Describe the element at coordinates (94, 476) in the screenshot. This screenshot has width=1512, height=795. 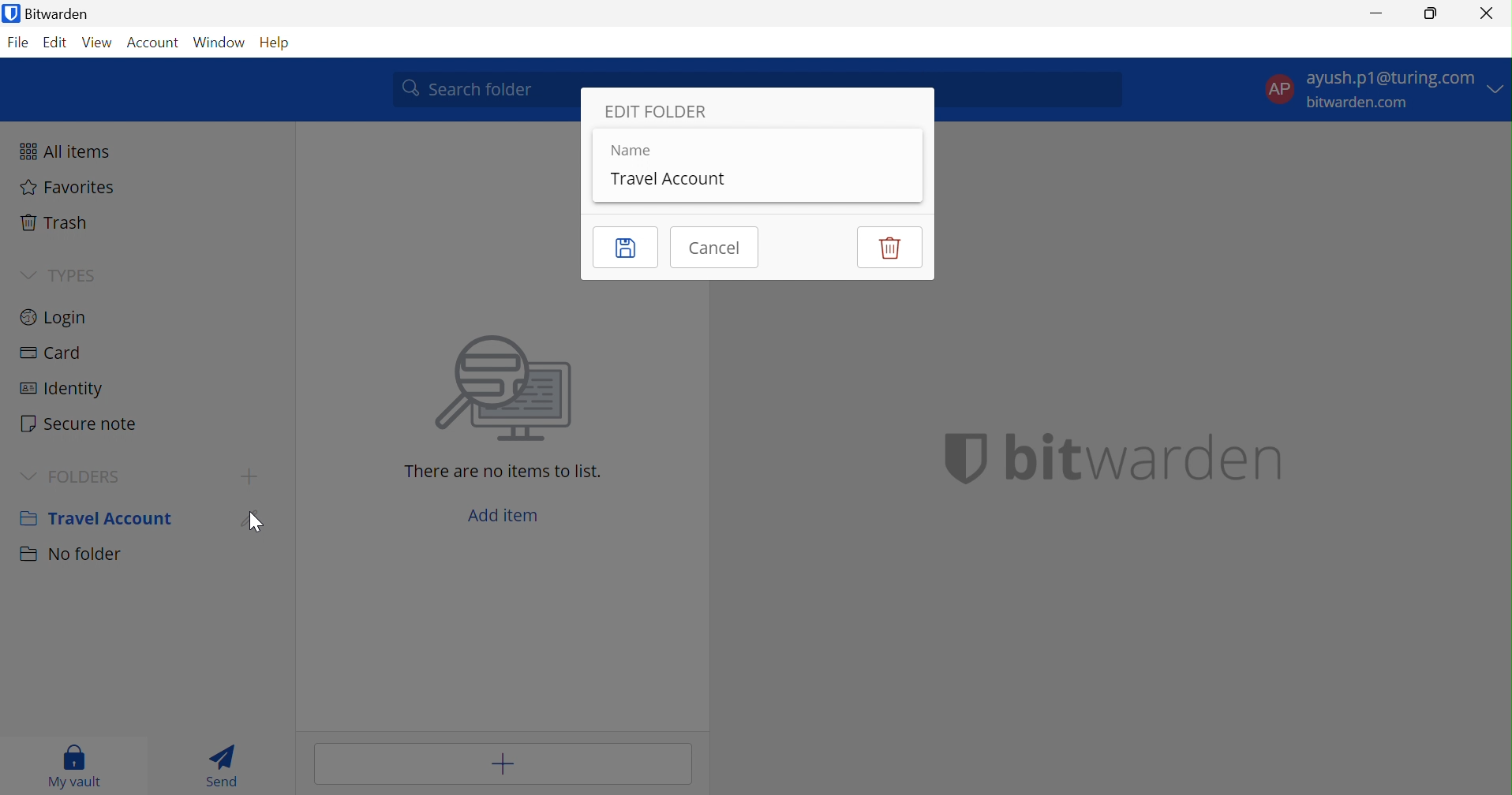
I see `FOLDERS` at that location.